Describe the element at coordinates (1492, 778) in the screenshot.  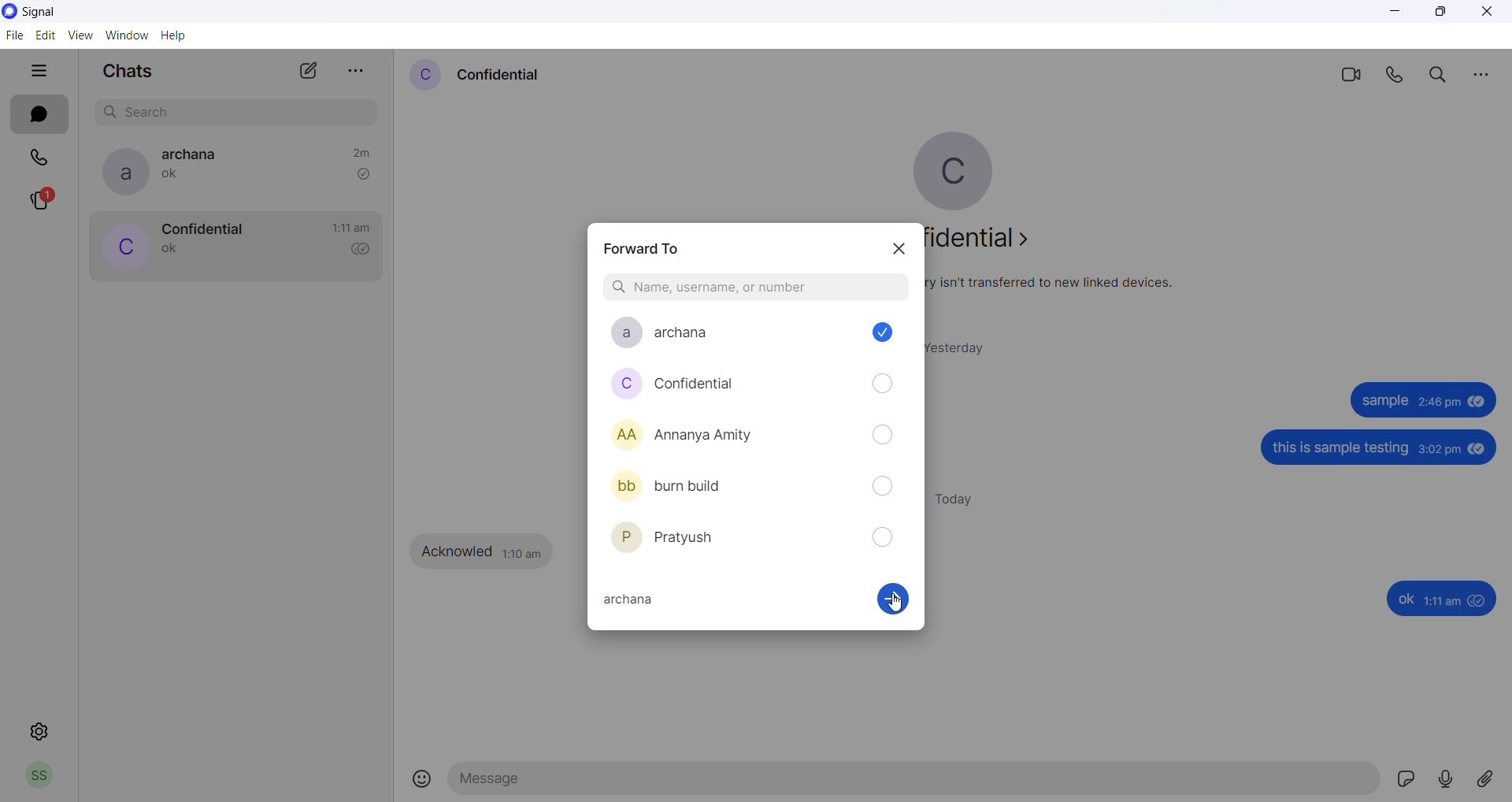
I see `share attachment` at that location.